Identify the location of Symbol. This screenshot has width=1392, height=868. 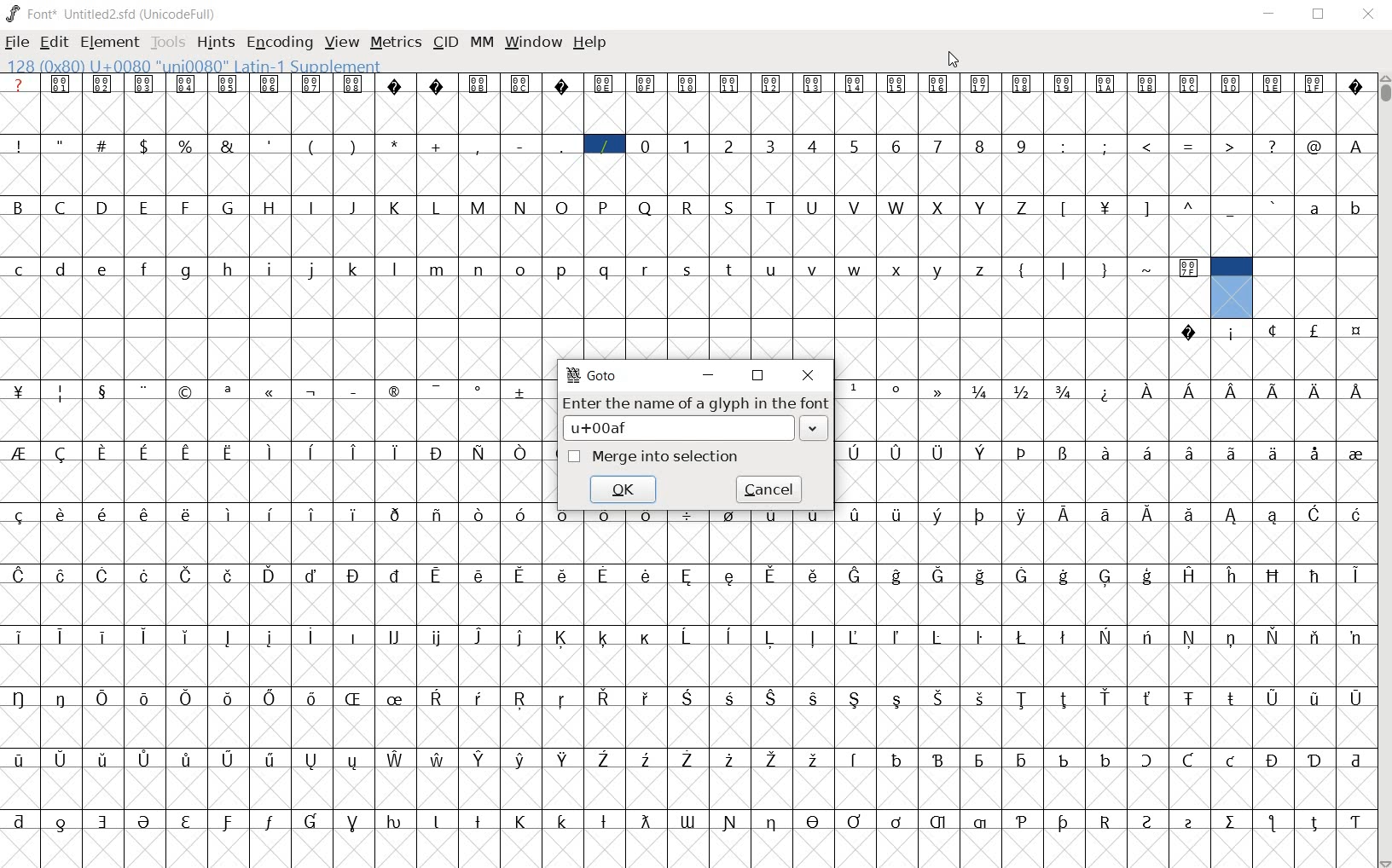
(106, 635).